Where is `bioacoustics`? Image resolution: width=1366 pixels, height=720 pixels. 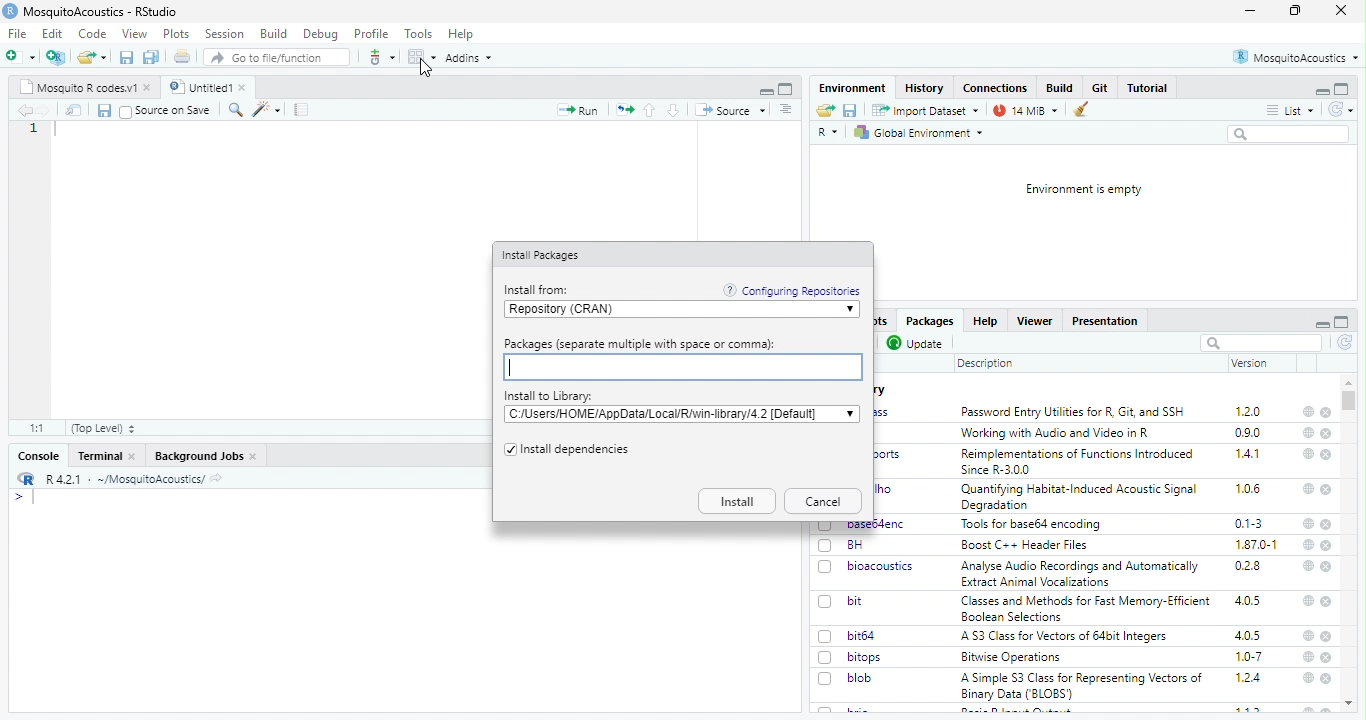 bioacoustics is located at coordinates (883, 567).